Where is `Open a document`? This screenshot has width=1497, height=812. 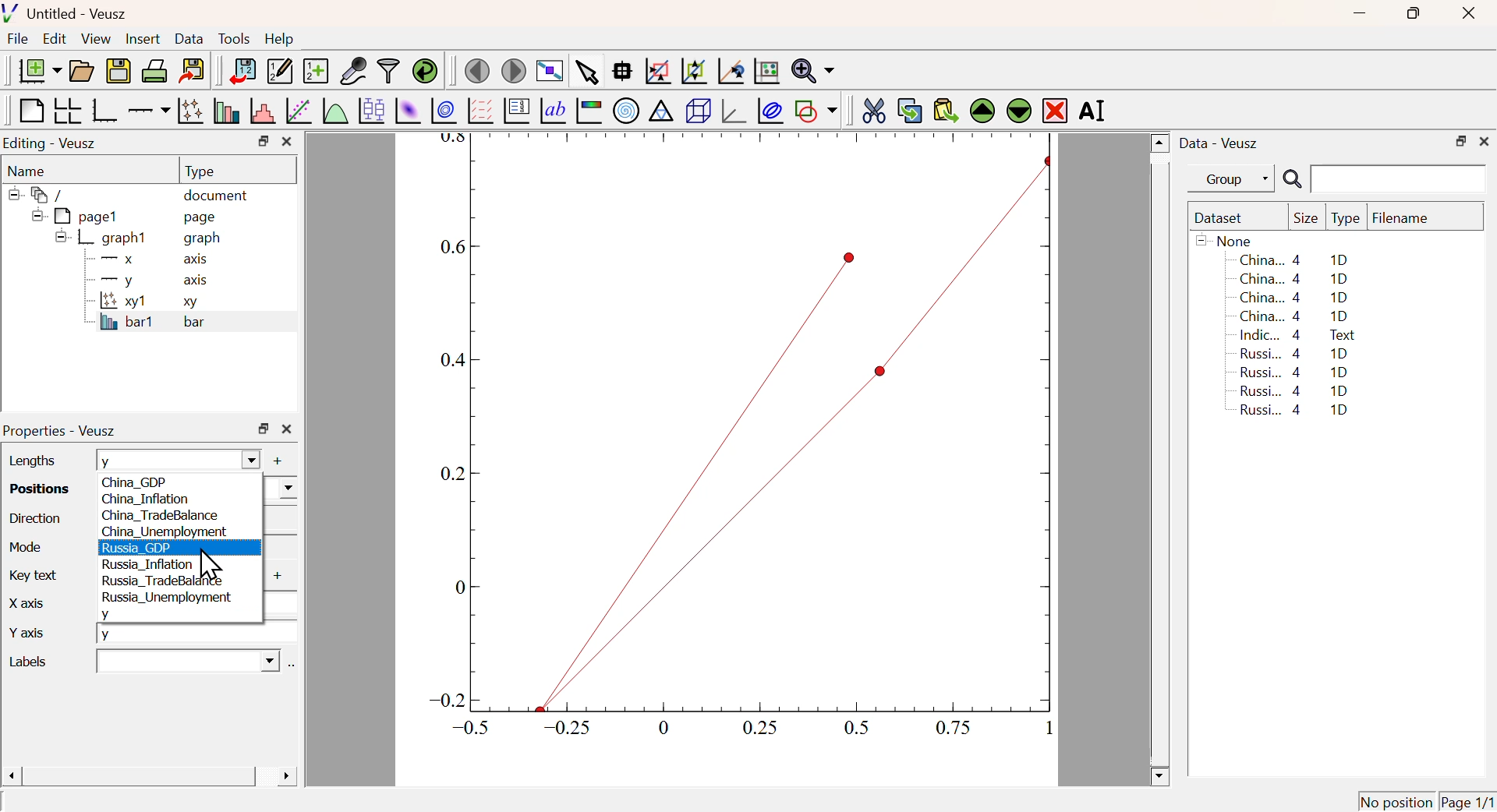
Open a document is located at coordinates (80, 71).